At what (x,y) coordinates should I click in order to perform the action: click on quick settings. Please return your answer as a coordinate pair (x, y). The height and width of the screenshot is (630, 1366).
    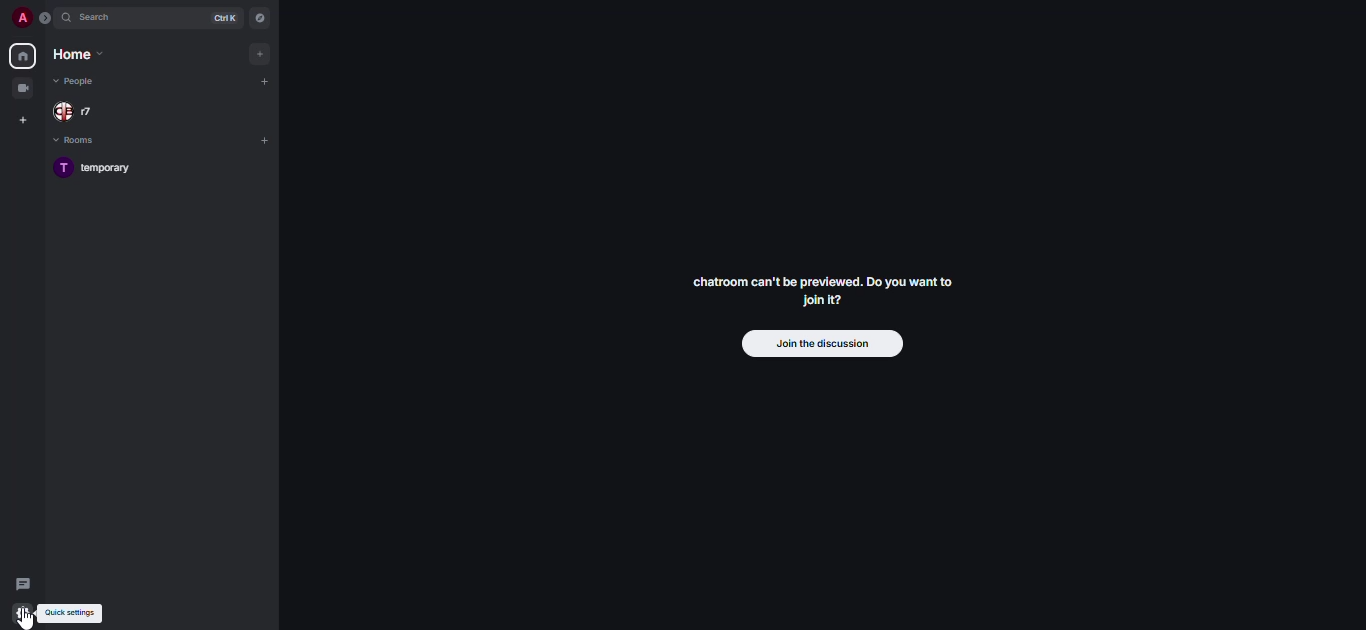
    Looking at the image, I should click on (23, 612).